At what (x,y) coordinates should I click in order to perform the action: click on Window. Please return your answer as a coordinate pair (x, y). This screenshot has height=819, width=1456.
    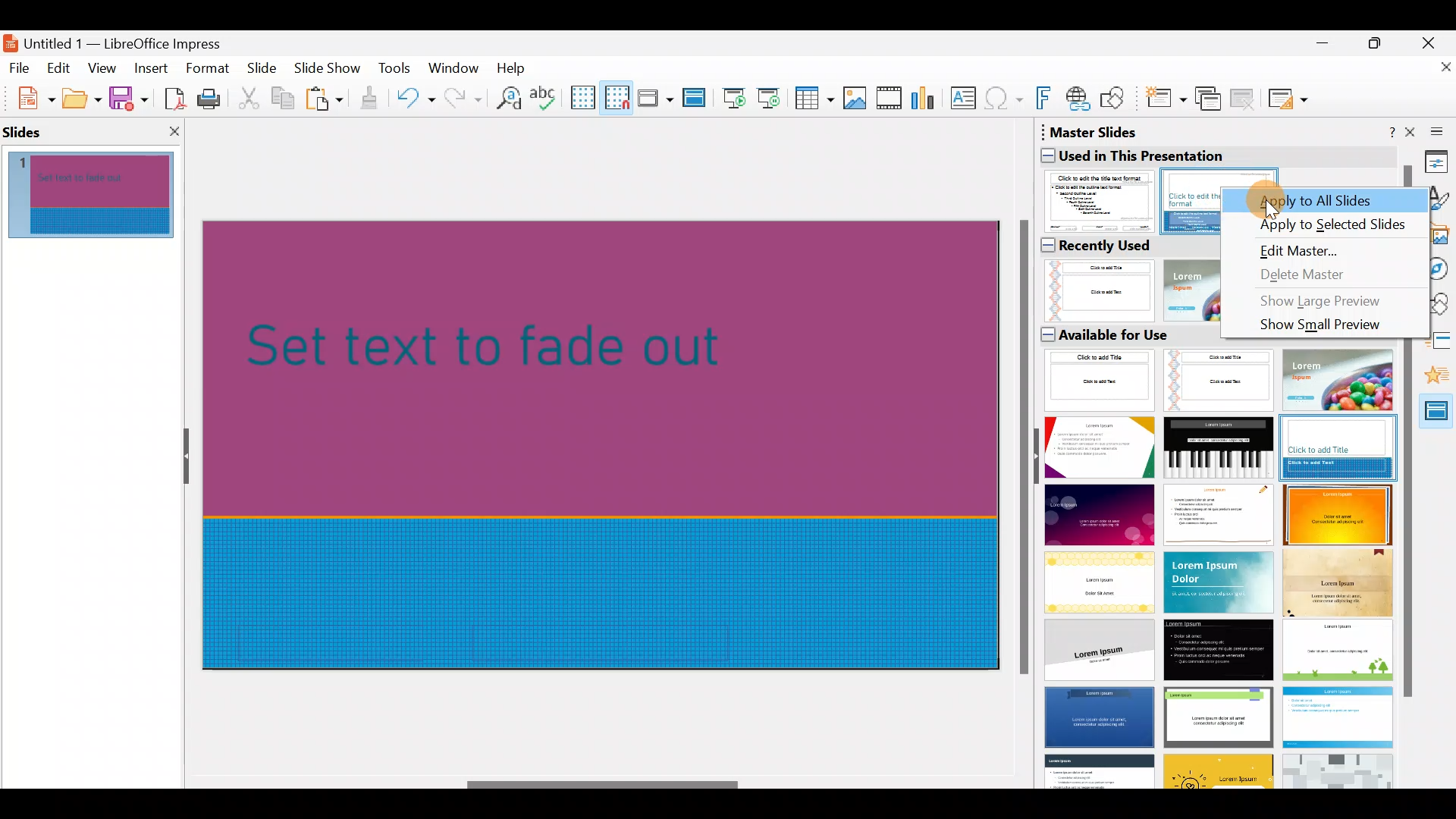
    Looking at the image, I should click on (457, 67).